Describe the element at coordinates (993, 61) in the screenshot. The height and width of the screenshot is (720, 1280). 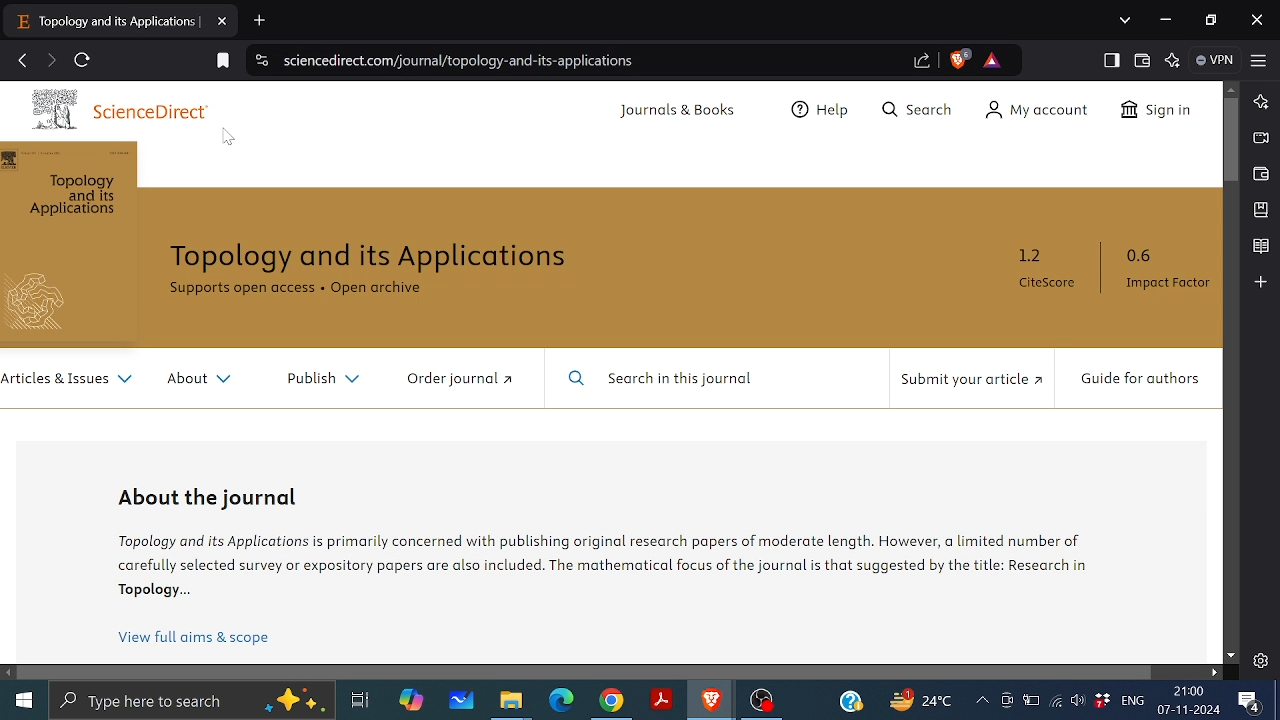
I see `Rewards` at that location.